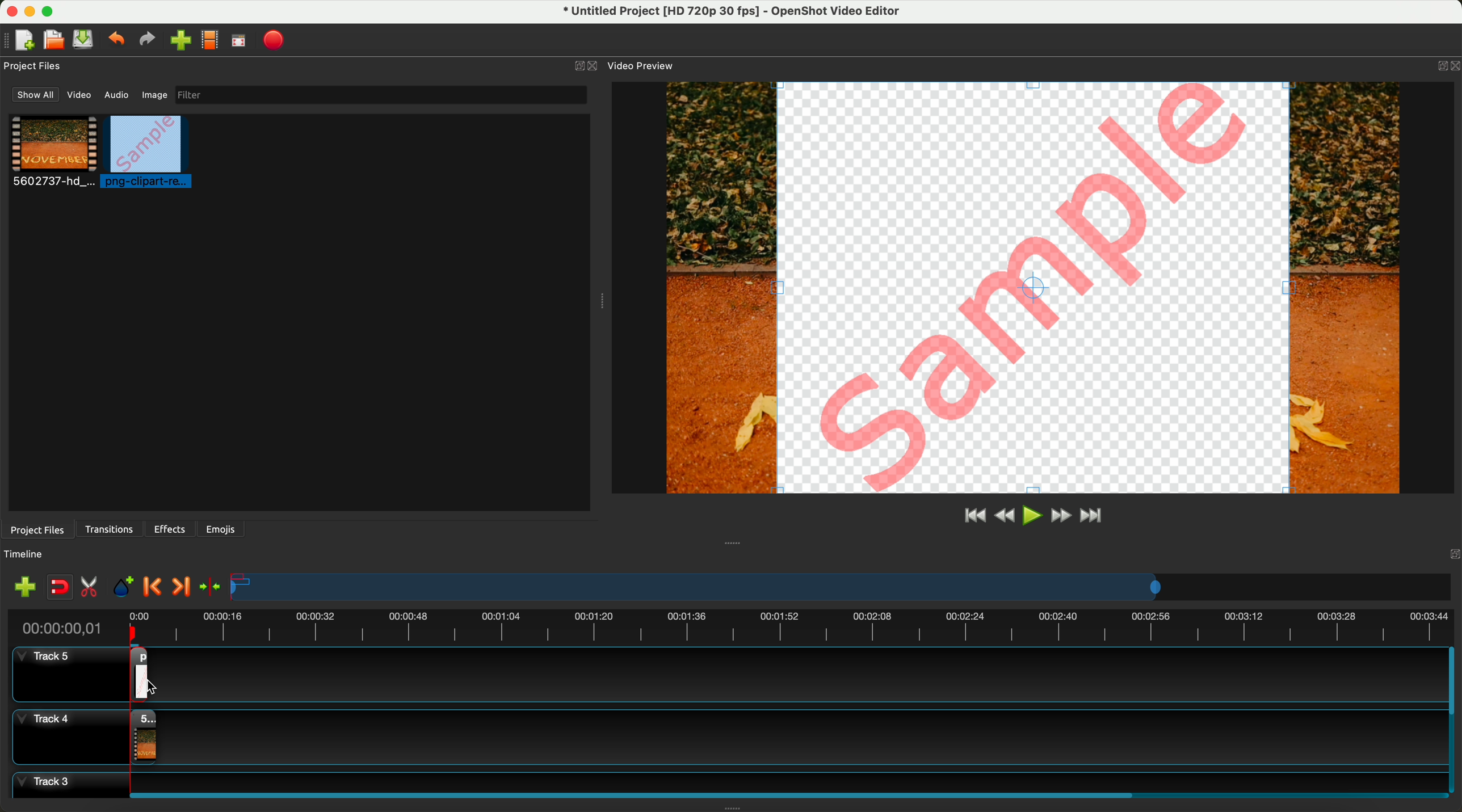 The width and height of the screenshot is (1462, 812). What do you see at coordinates (22, 586) in the screenshot?
I see `import files` at bounding box center [22, 586].